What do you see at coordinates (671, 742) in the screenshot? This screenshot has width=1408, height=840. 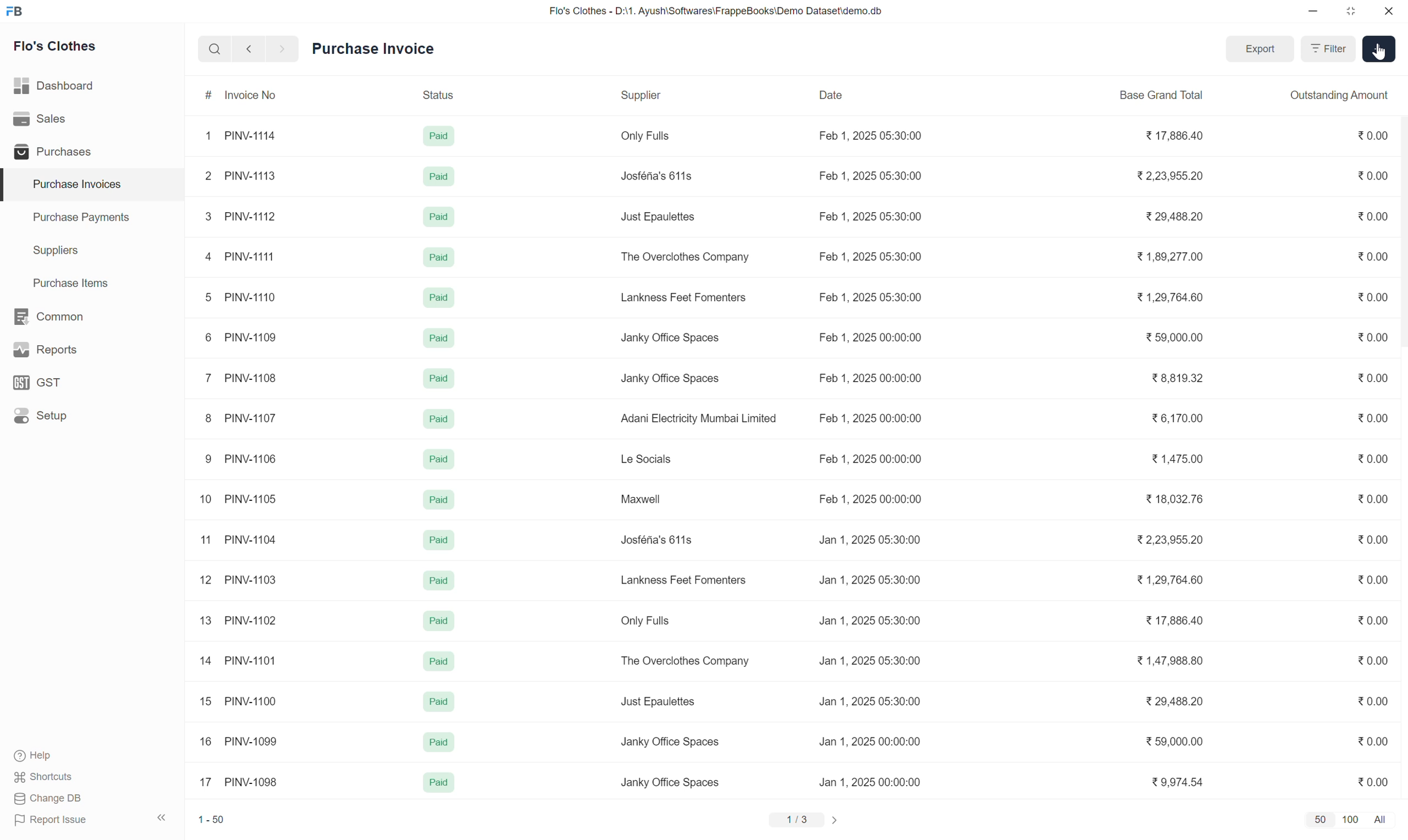 I see `Janky Office Spaces` at bounding box center [671, 742].